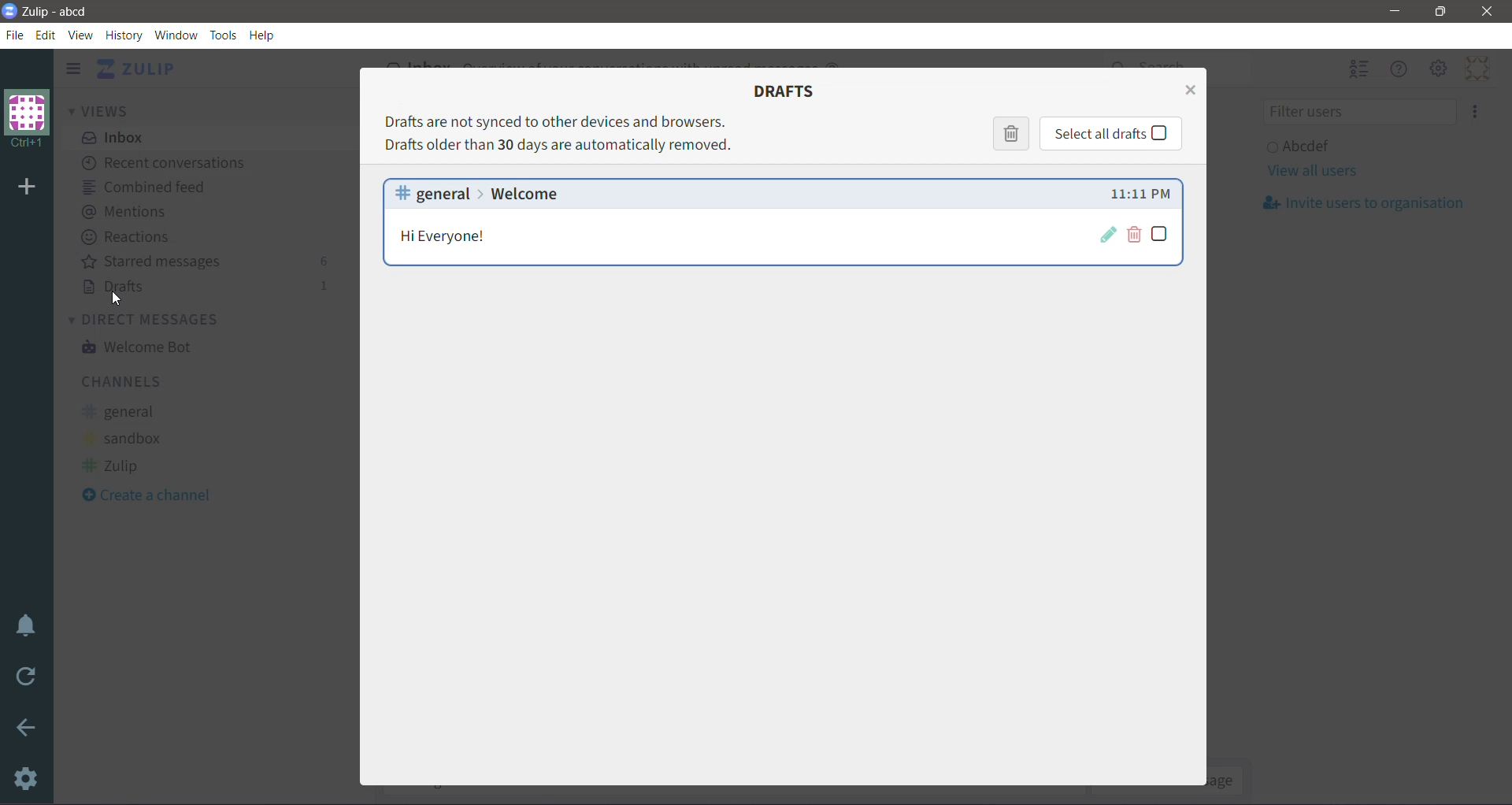 The height and width of the screenshot is (805, 1512). What do you see at coordinates (1489, 12) in the screenshot?
I see `Close` at bounding box center [1489, 12].